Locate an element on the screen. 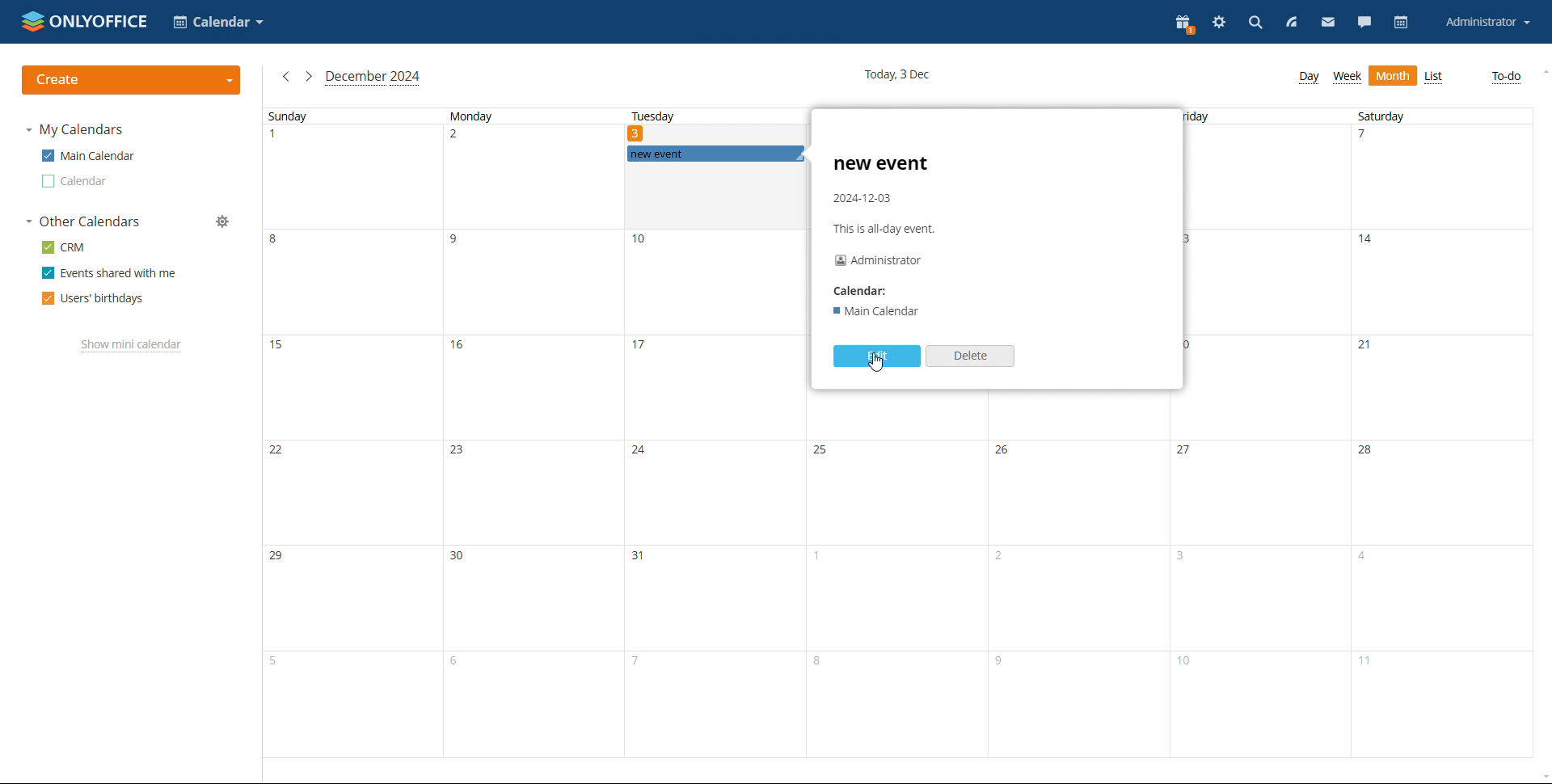 This screenshot has width=1552, height=784. edit is located at coordinates (877, 356).